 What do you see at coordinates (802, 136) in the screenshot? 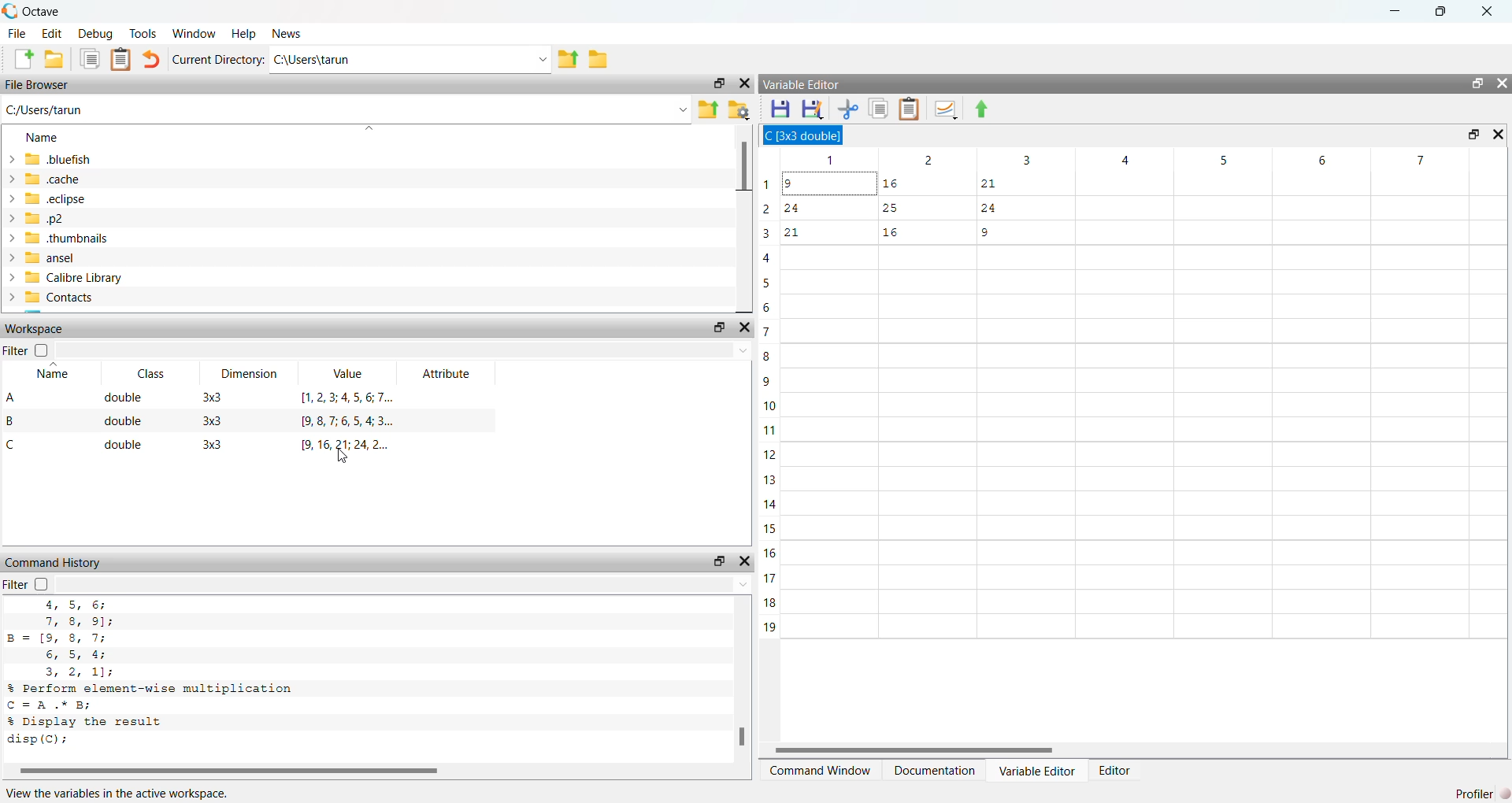
I see `C 3x3 double` at bounding box center [802, 136].